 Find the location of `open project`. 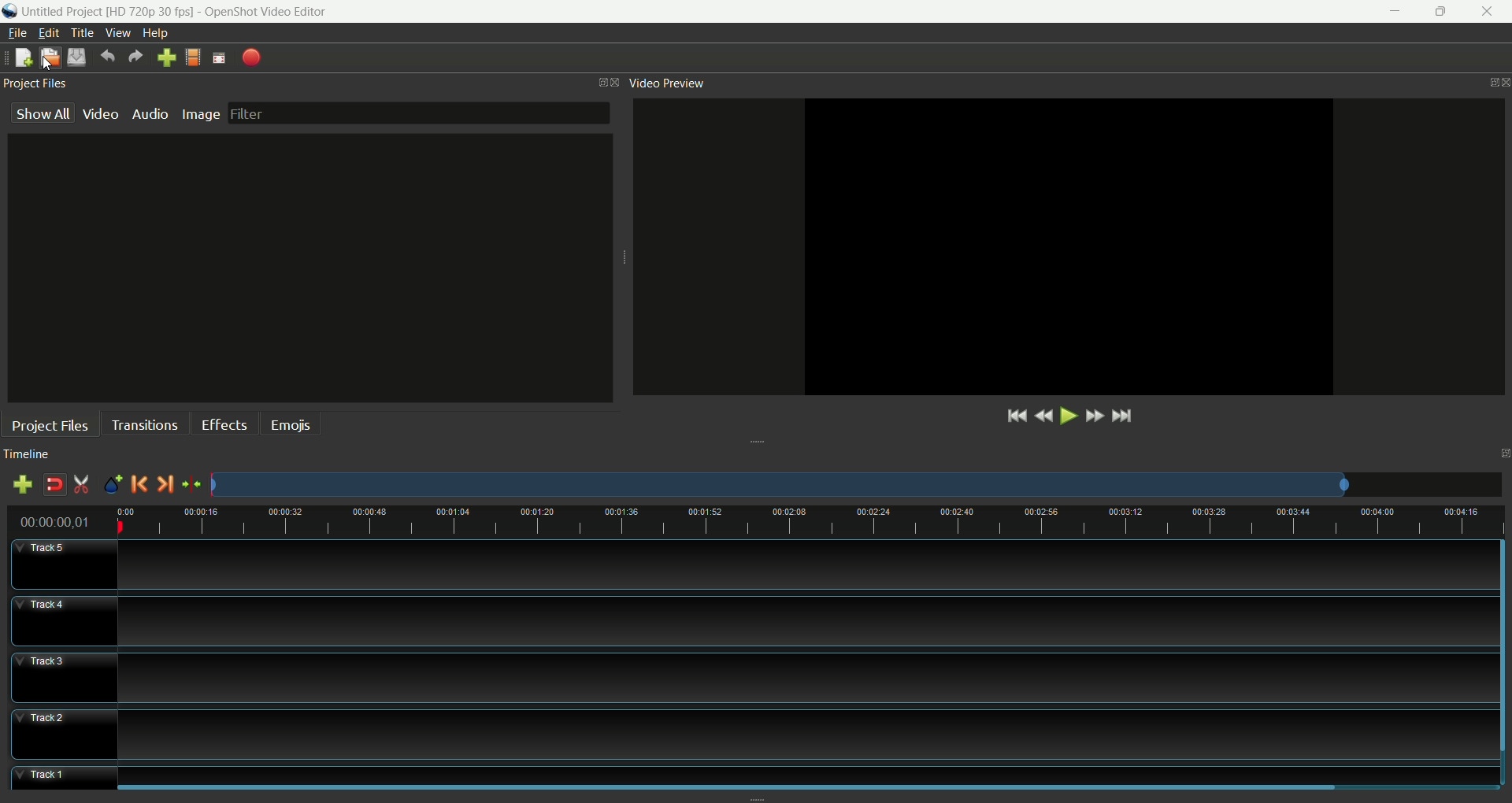

open project is located at coordinates (48, 57).